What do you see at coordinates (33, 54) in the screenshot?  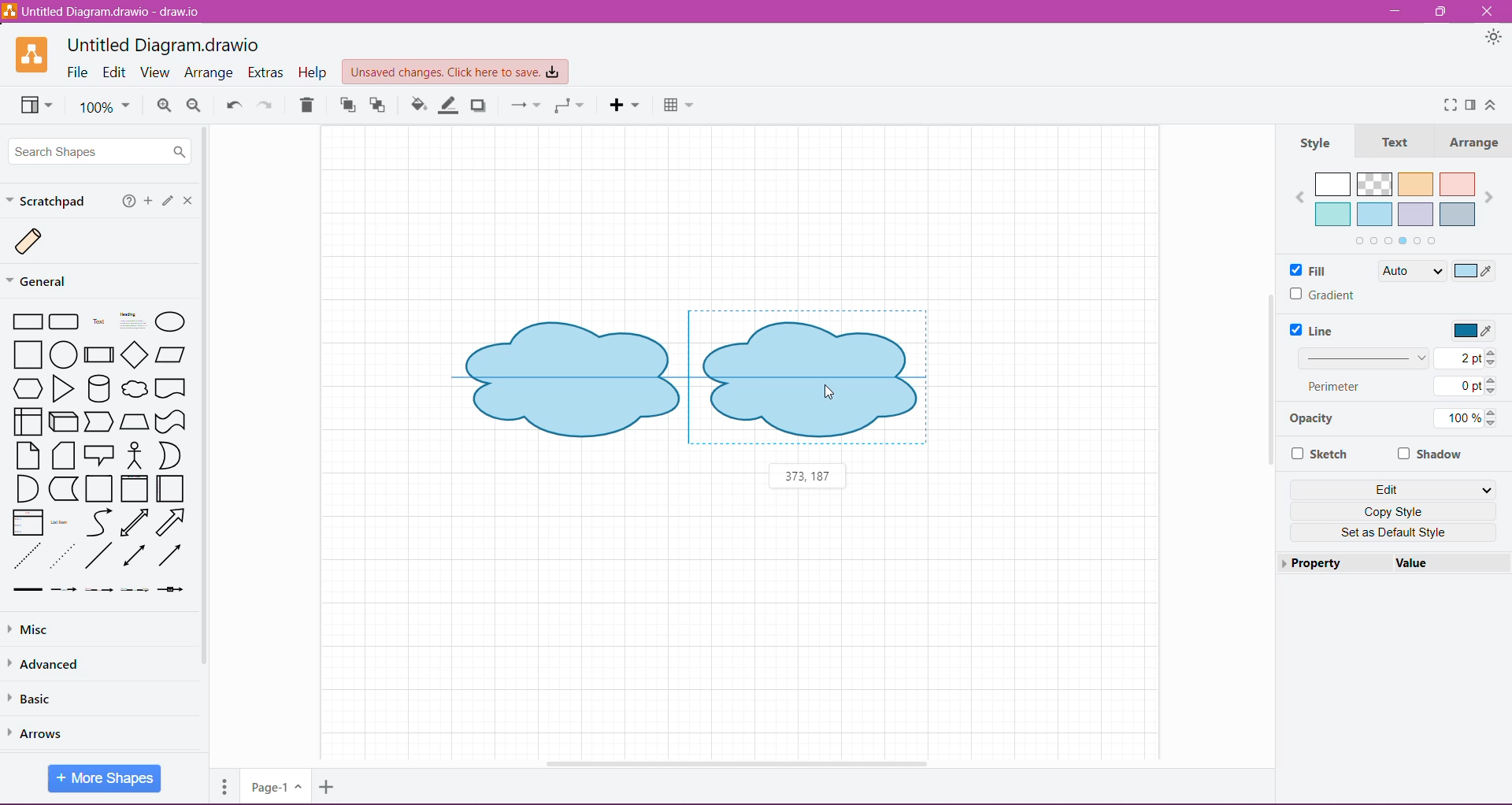 I see `Application Logo` at bounding box center [33, 54].